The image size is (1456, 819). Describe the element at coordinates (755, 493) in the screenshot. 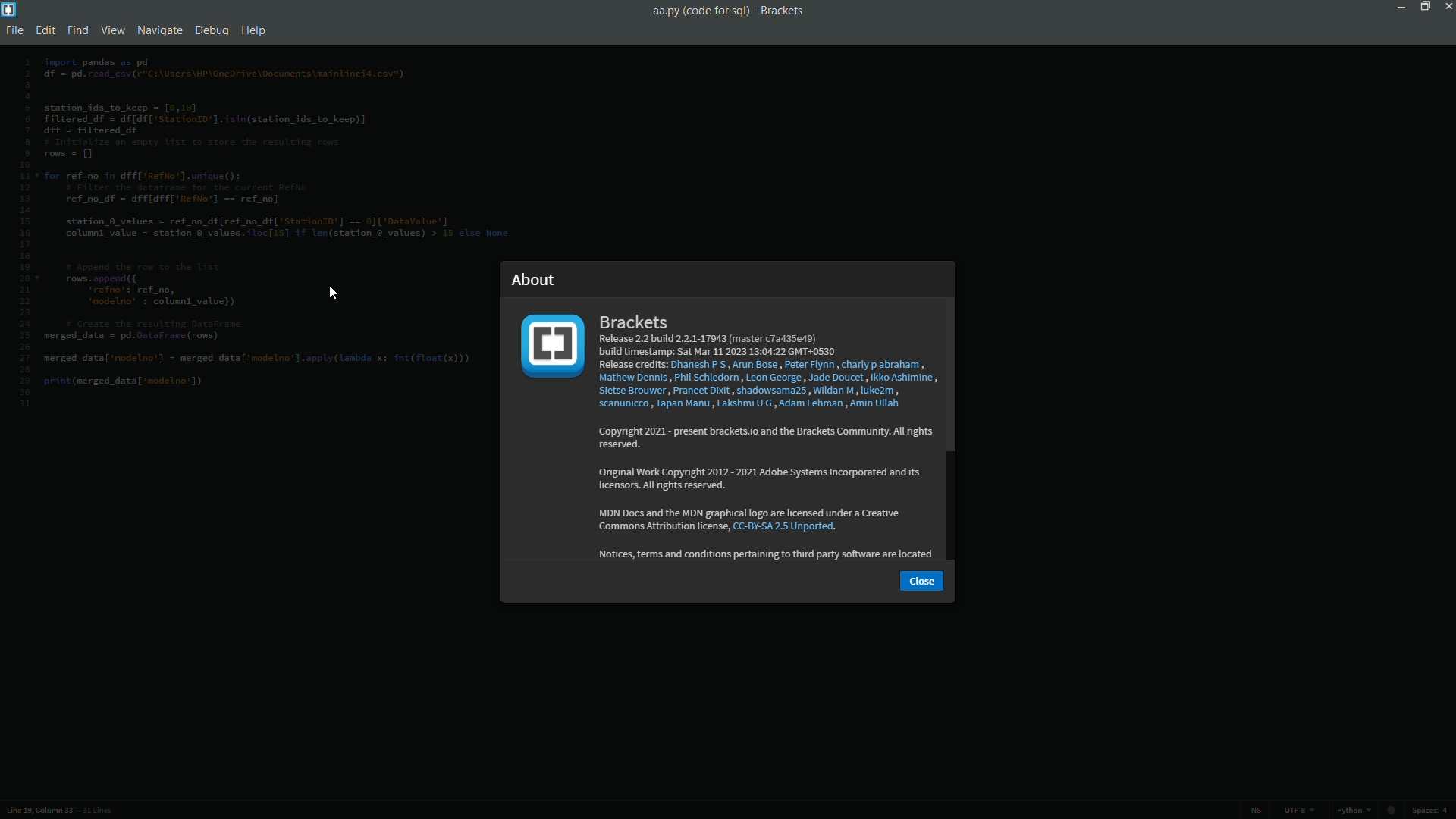

I see `‘Lopyright 2021 - present brackels.lo and the Brackets Lommunity. All nights
reserved.
Original Work Copyright 2012 - 2021 Adobe Systems Incorporated and ts
licensors. All ights reserved.
MDN Docs and the MDN graphical logo are licensed under a Creative
Commons Attribution license, CC-BY-5A 2.5 Unported.
Notices, terms and conditions pertaining to third party software are located` at that location.